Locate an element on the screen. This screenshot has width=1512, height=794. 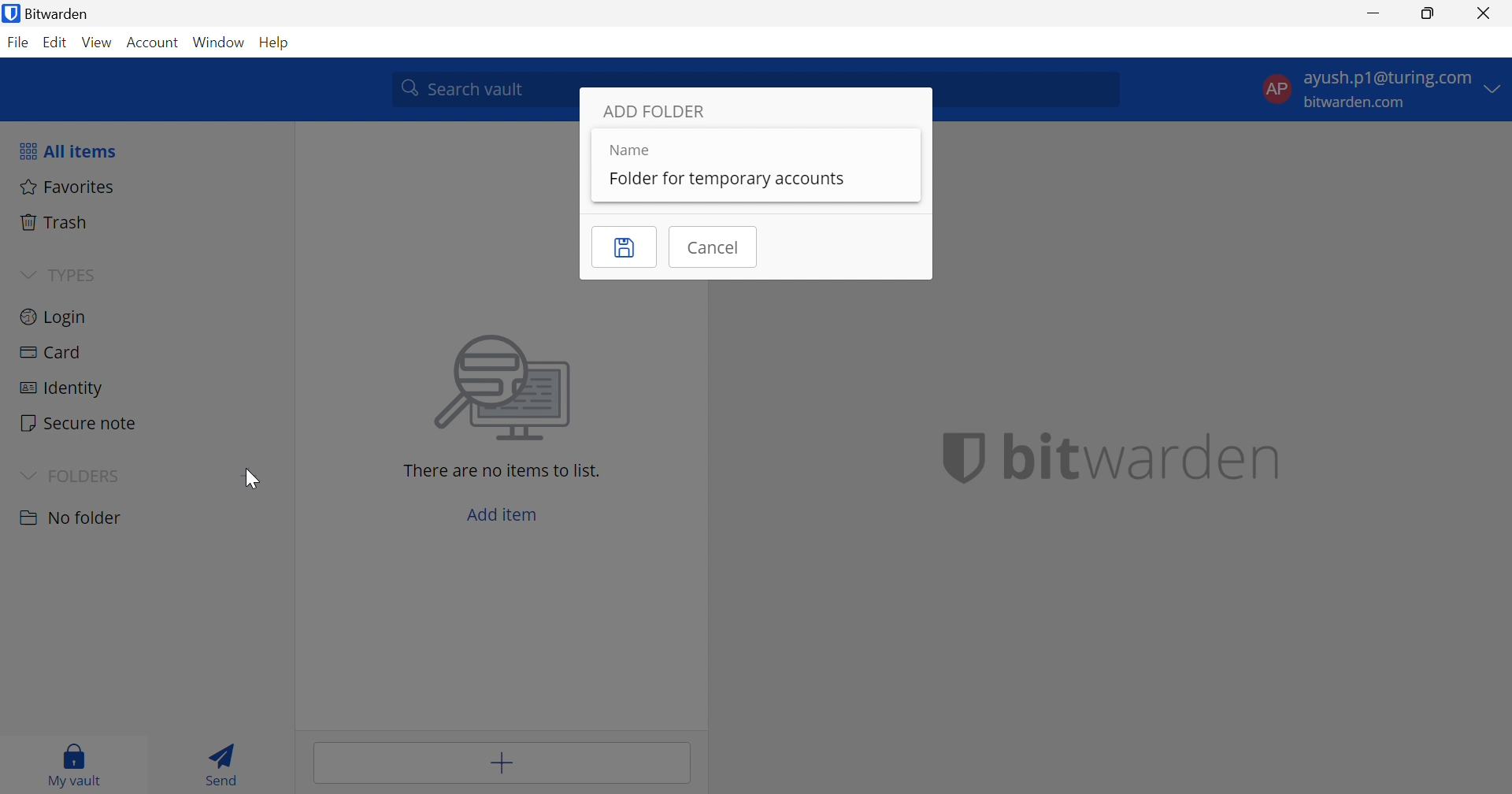
image is located at coordinates (499, 389).